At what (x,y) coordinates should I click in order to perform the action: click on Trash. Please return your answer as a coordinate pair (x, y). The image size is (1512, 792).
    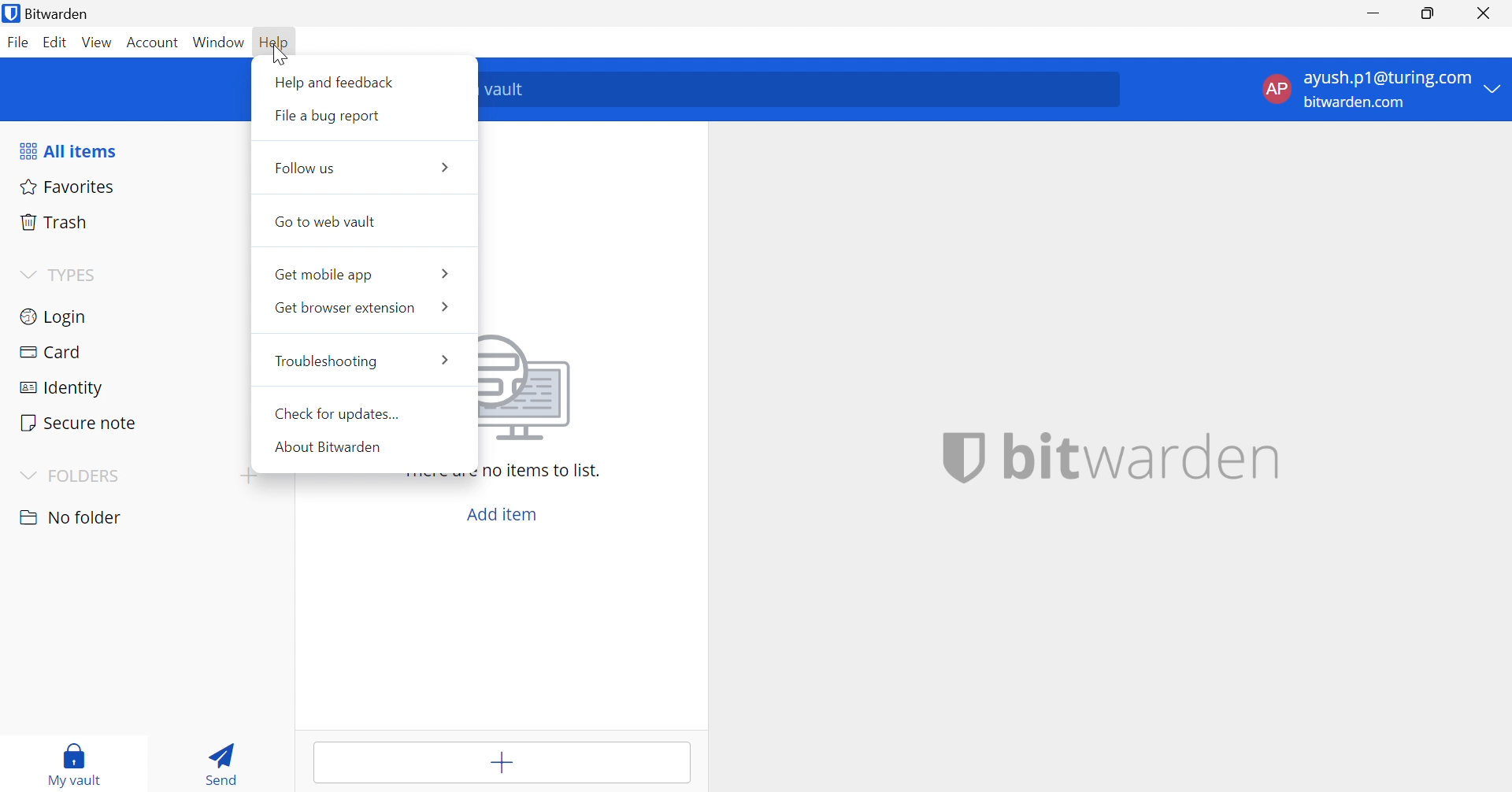
    Looking at the image, I should click on (130, 221).